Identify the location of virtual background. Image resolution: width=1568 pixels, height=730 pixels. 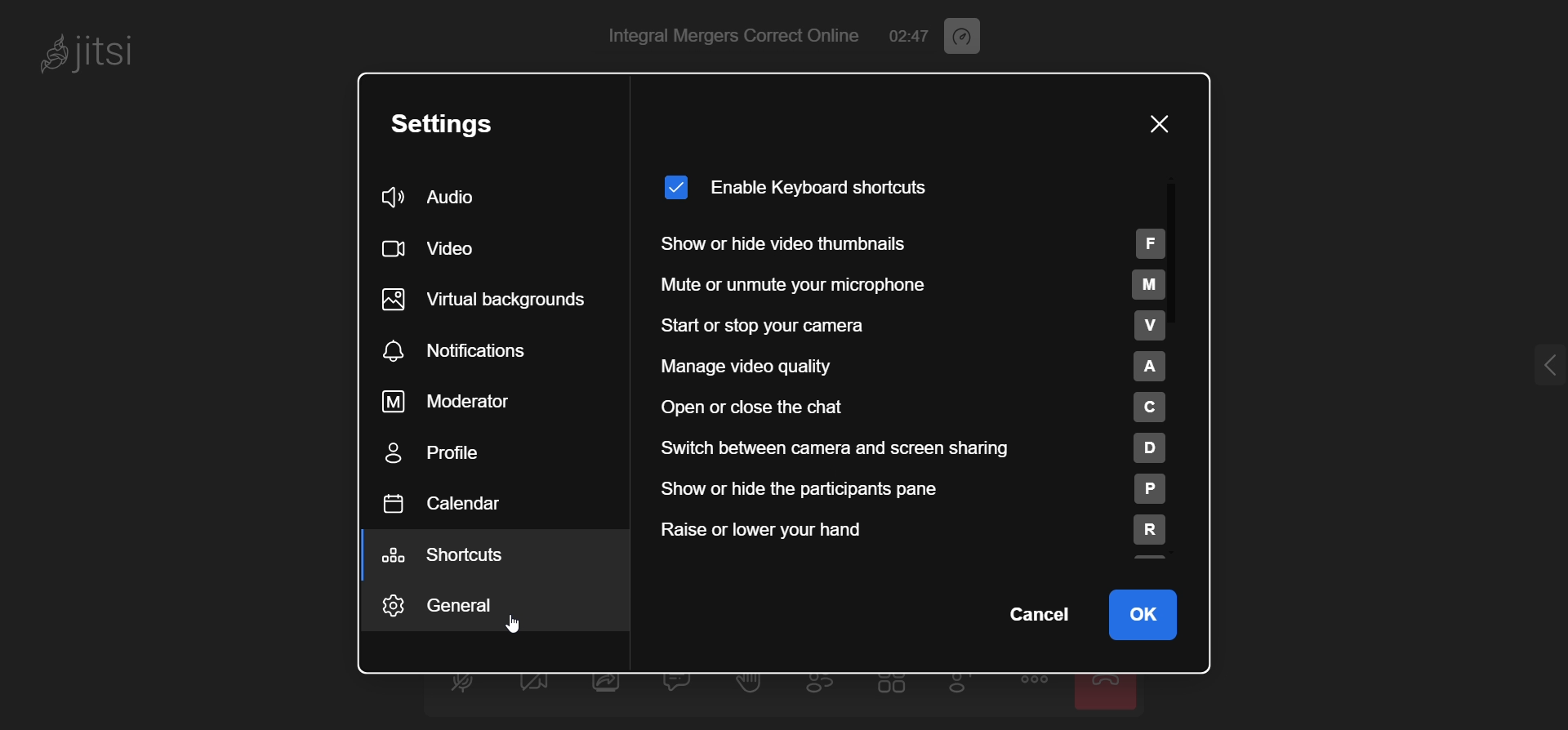
(492, 300).